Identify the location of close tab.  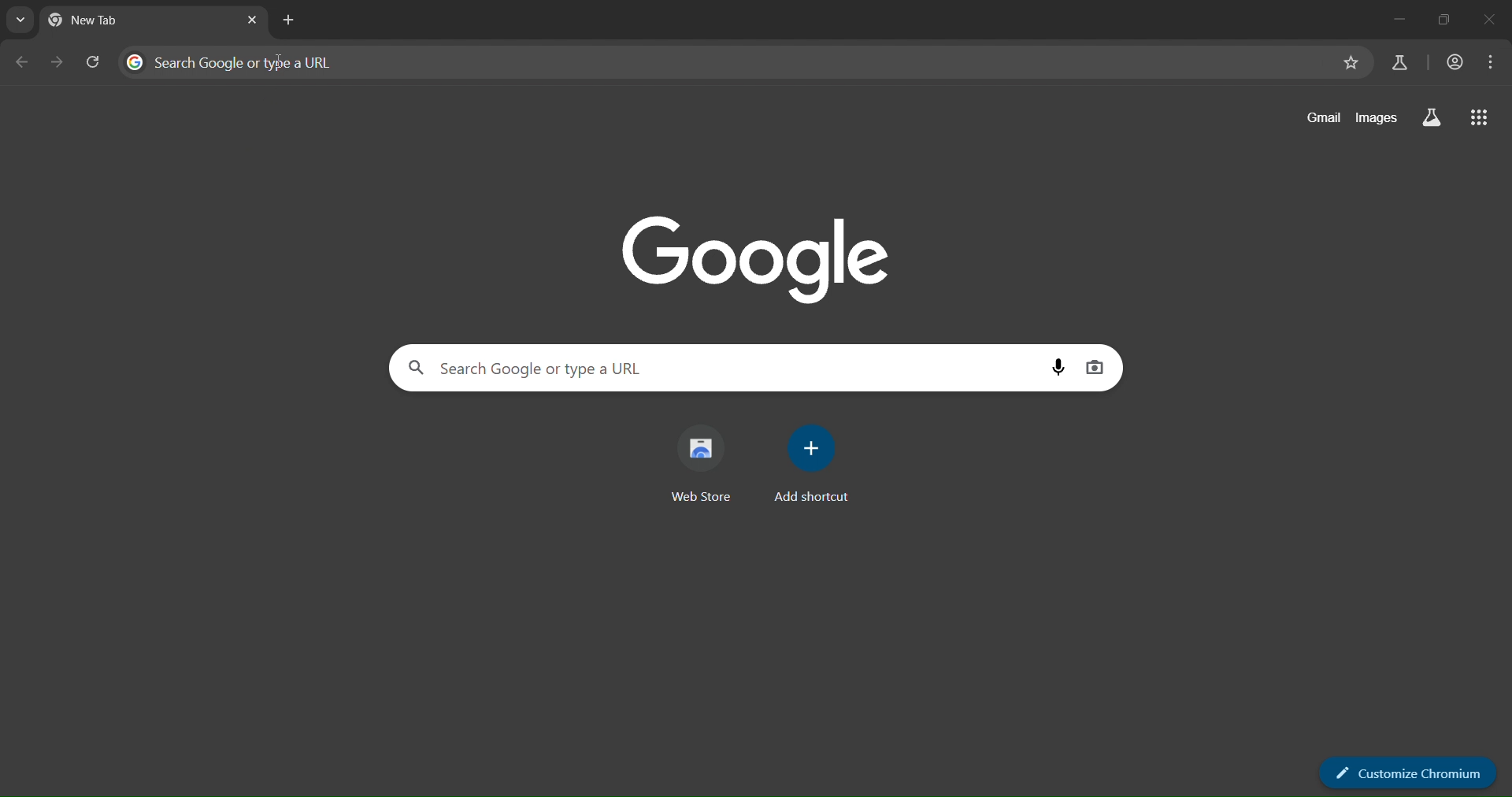
(254, 21).